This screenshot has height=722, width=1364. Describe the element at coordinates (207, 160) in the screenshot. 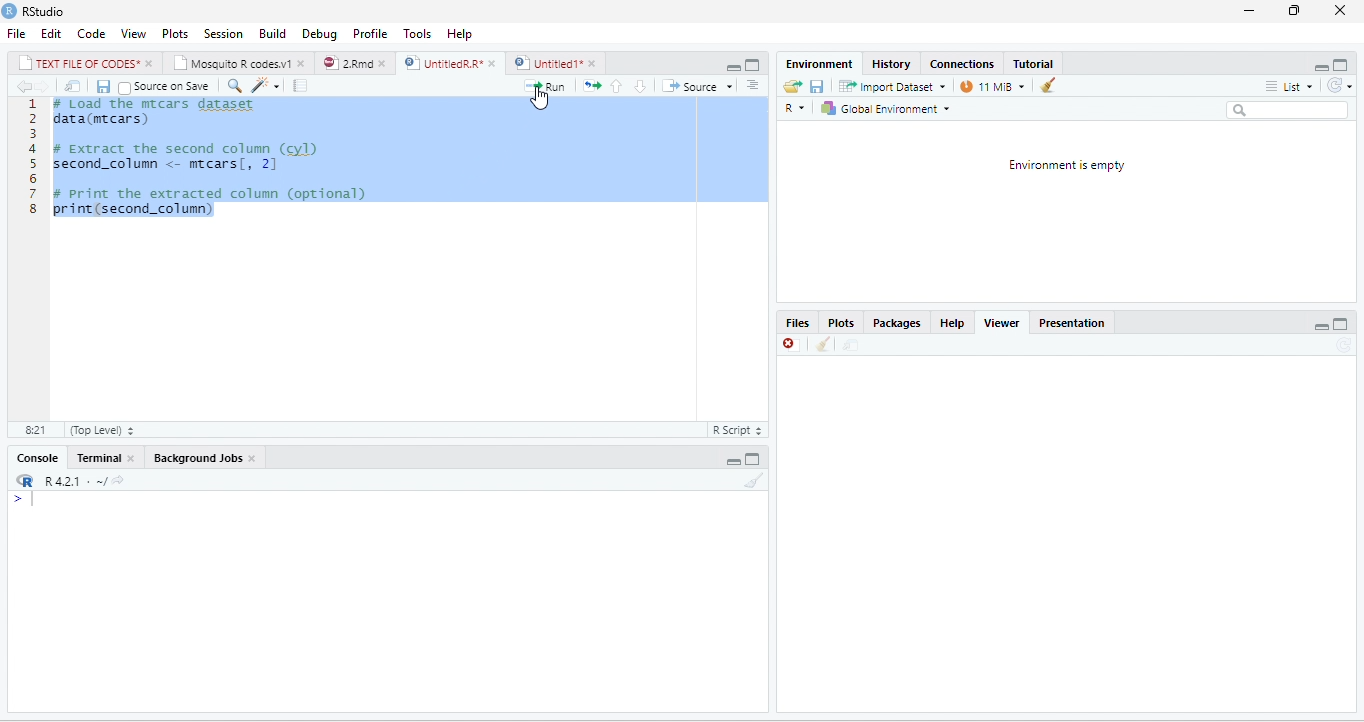

I see `1 # Load the mrcars dataset

2 data(mecars)

3

4 # Extract the second column (cyl)

5 second_column <- mrcars[, 2]

6

7 # print the extracted column (optional)
8 print(second_column)` at that location.